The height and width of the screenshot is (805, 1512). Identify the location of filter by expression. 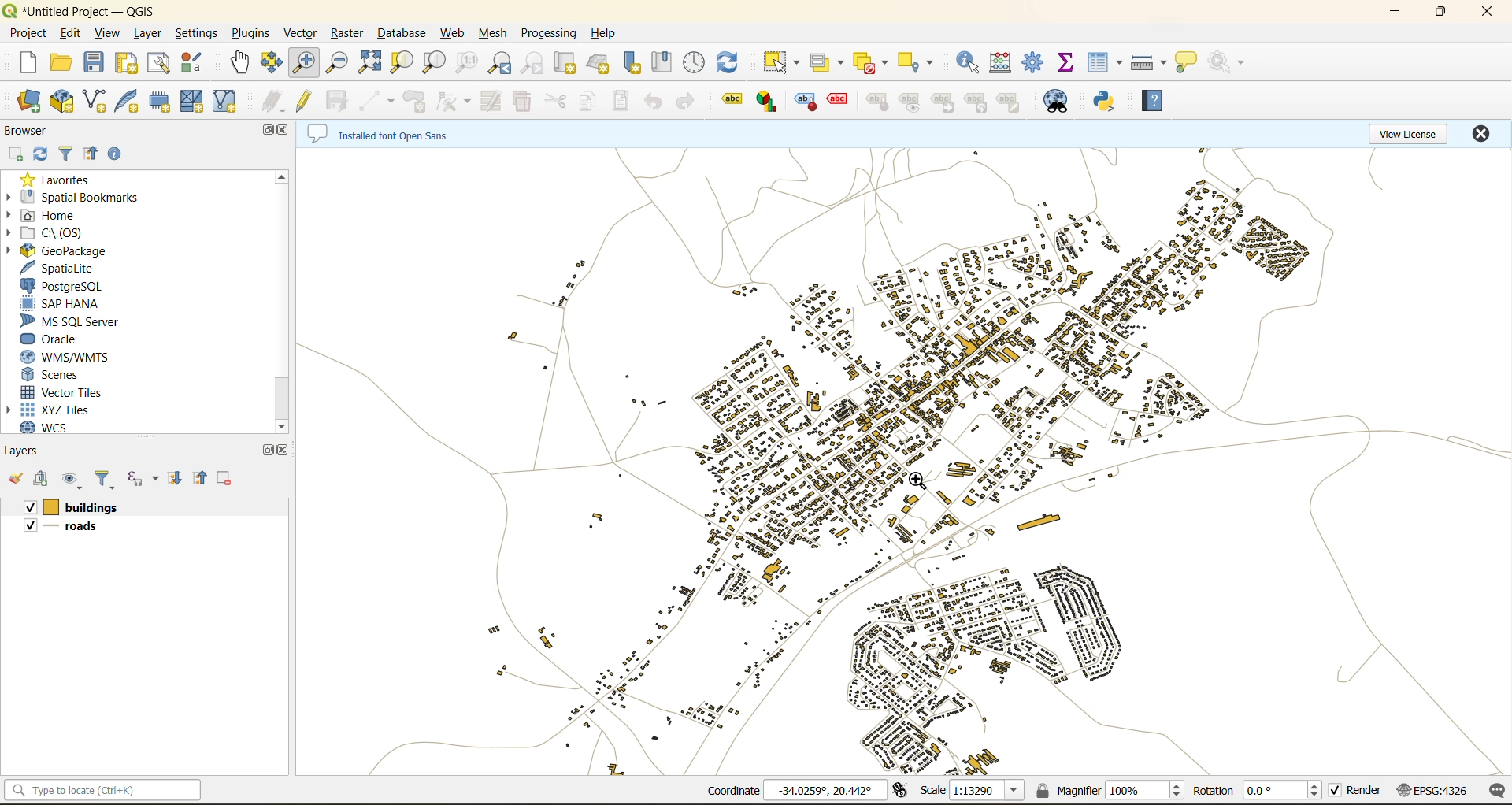
(142, 477).